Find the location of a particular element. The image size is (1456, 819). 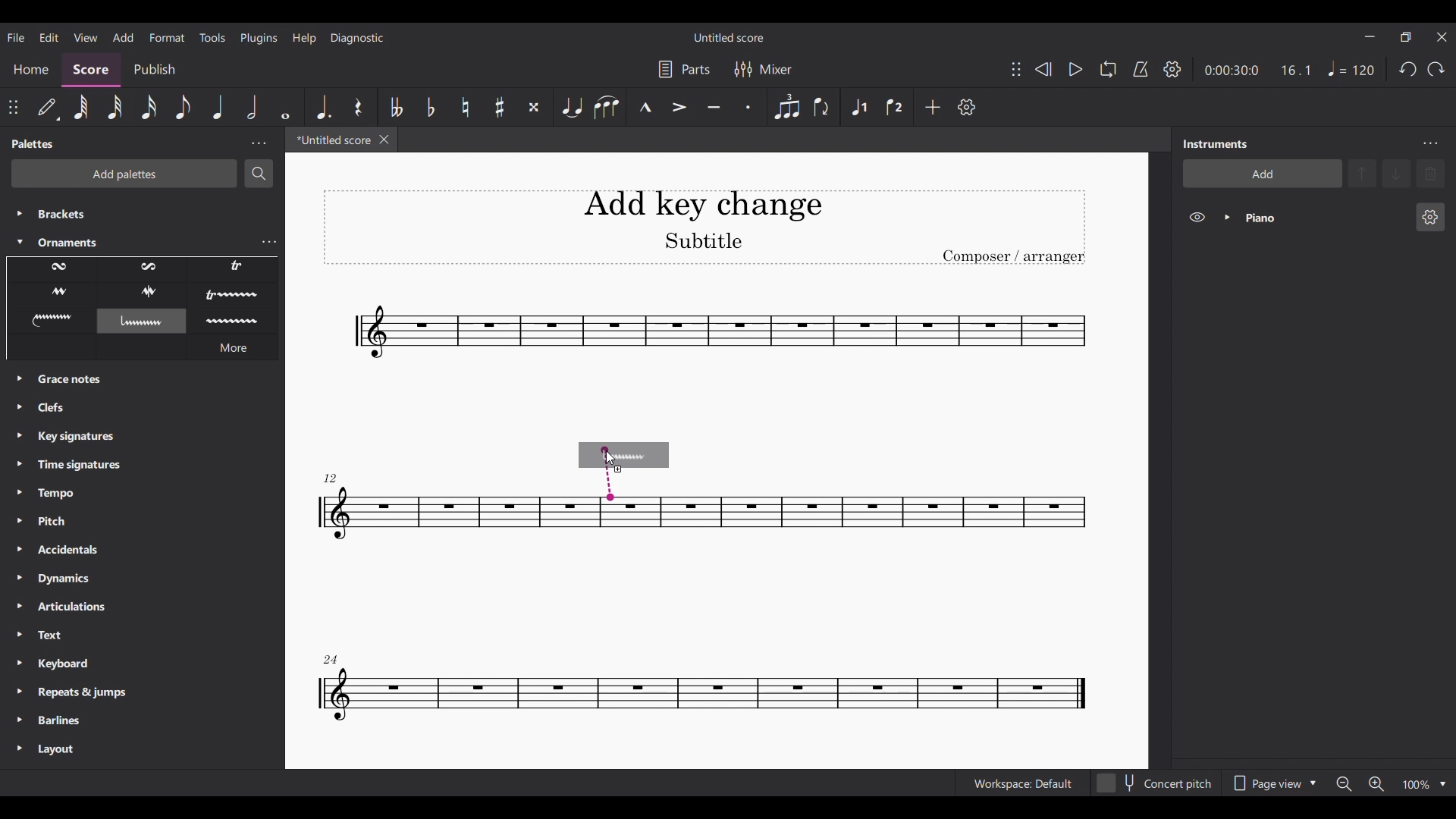

Undo is located at coordinates (1408, 70).